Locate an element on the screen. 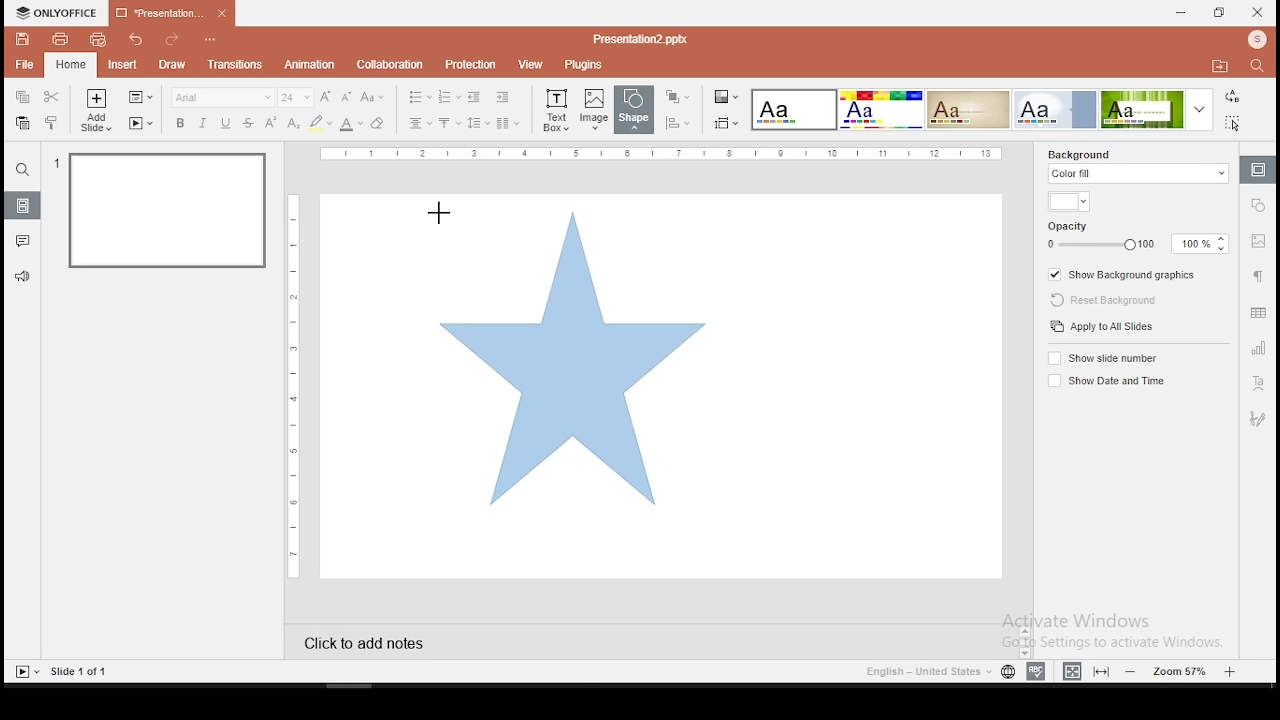 Image resolution: width=1280 pixels, height=720 pixels. eraser tool is located at coordinates (377, 124).